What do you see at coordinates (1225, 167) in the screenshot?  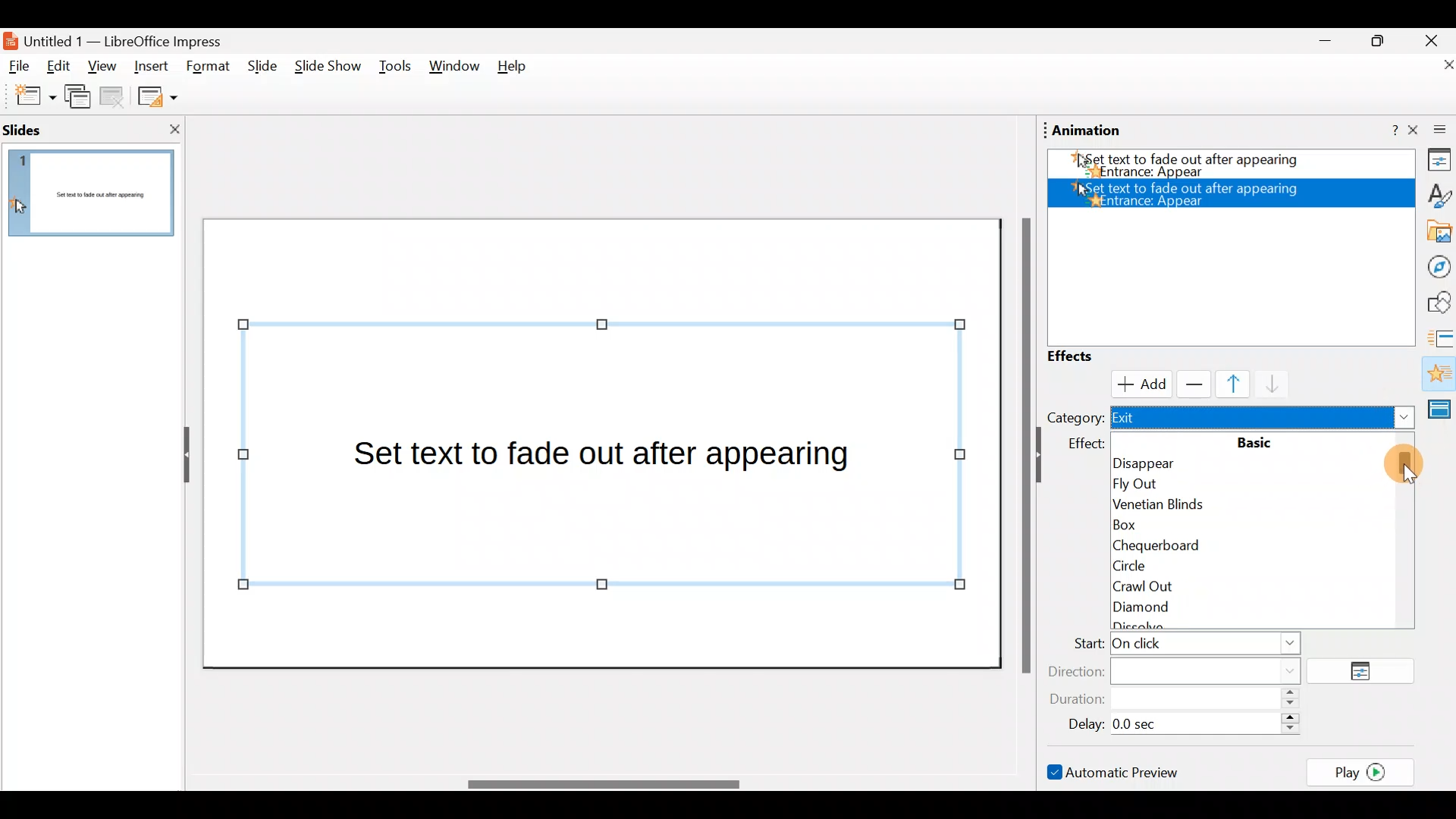 I see `Appear effect added` at bounding box center [1225, 167].